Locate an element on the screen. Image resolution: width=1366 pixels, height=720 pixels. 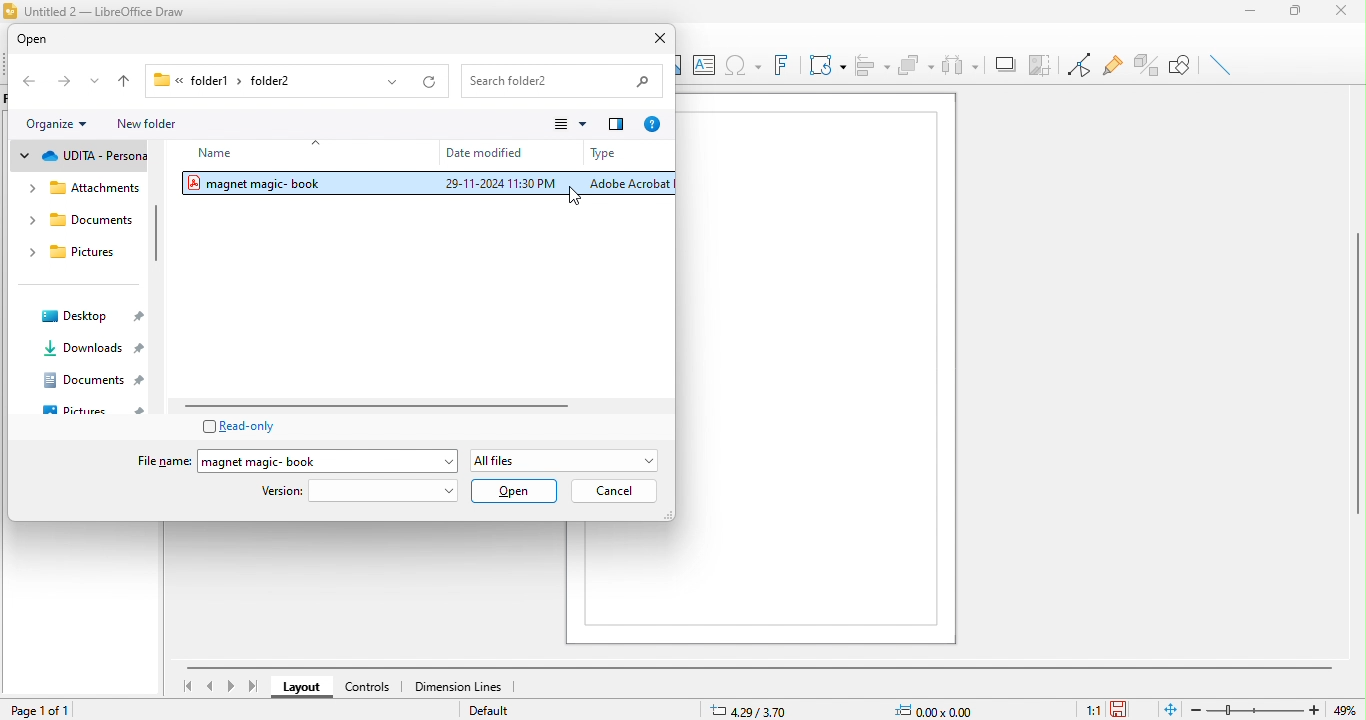
back is located at coordinates (27, 82).